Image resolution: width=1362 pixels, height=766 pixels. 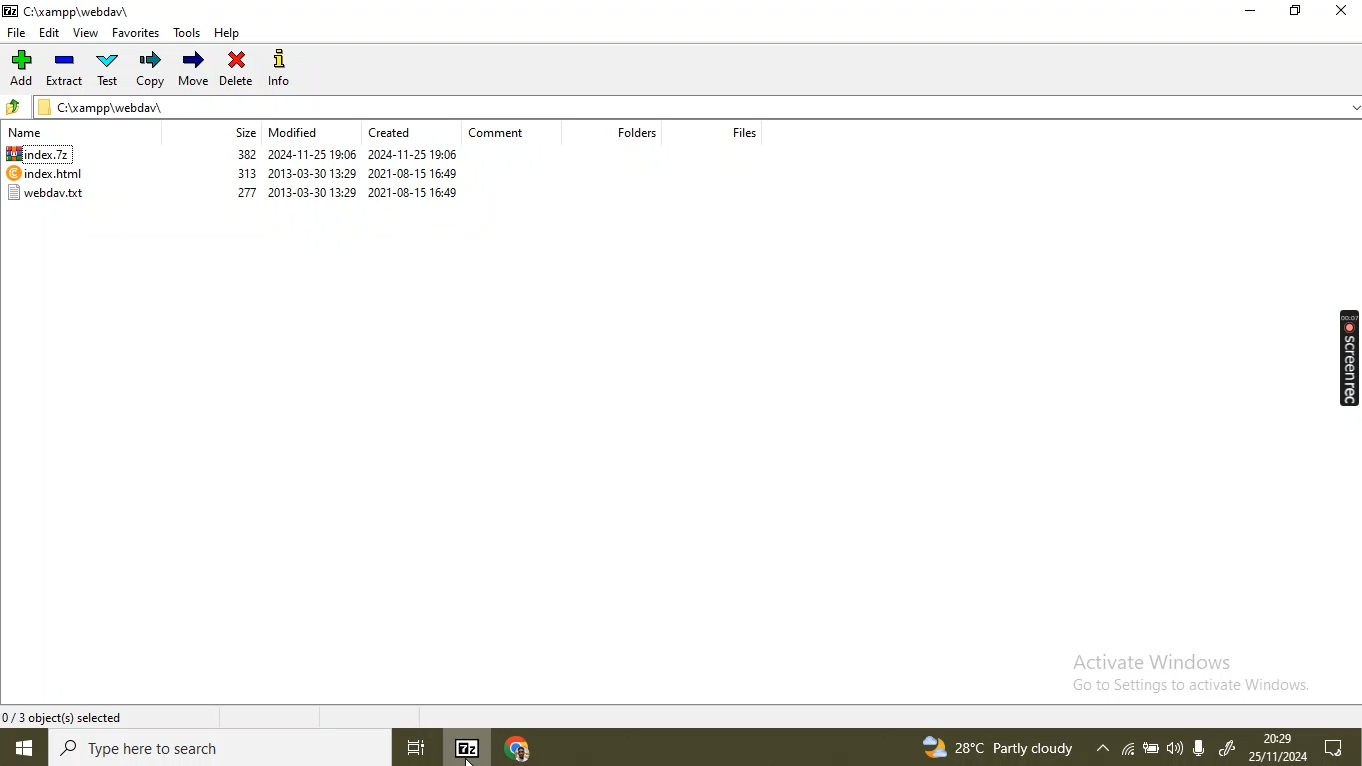 I want to click on restore, so click(x=1299, y=15).